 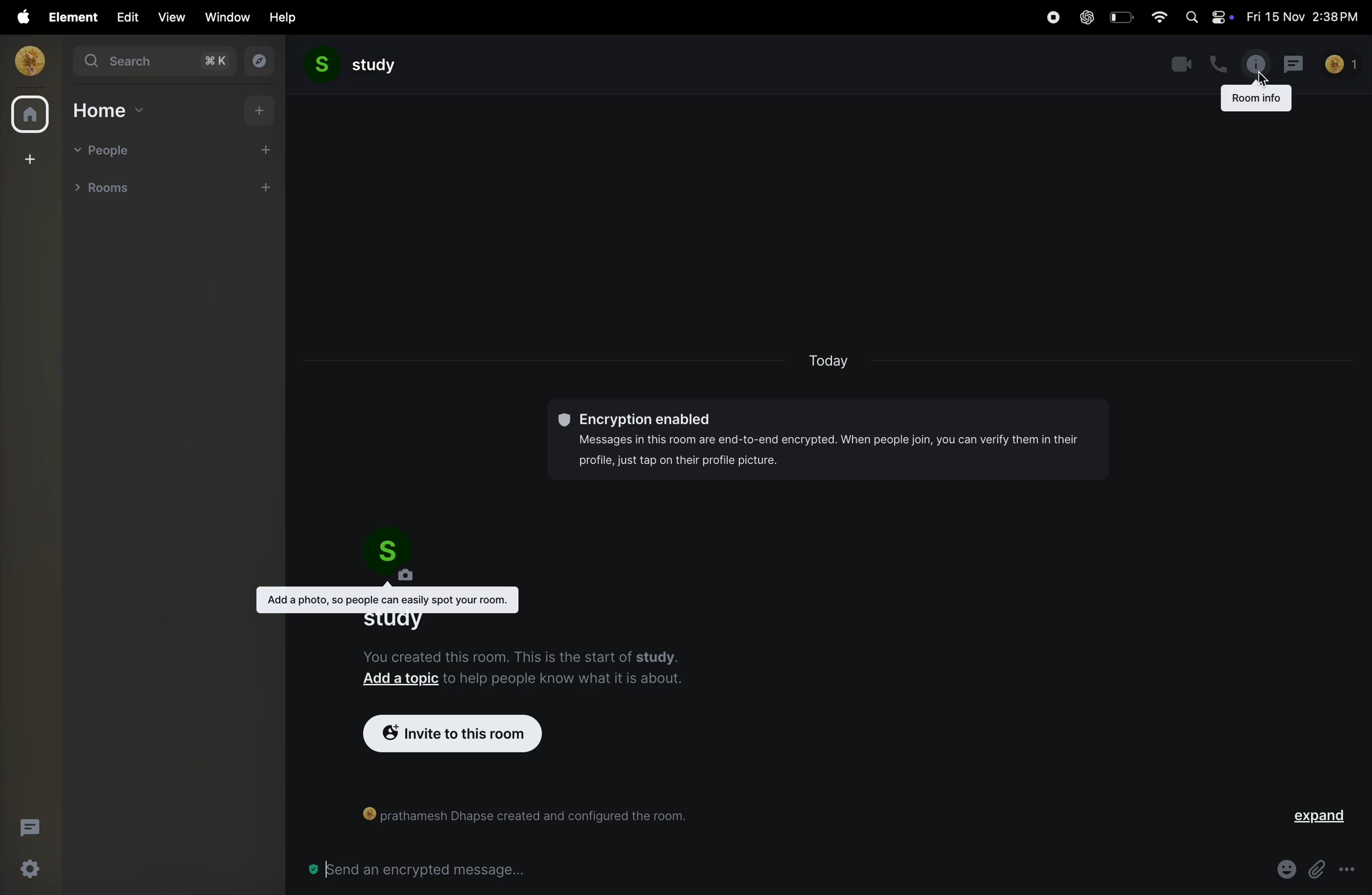 I want to click on rooms, so click(x=107, y=186).